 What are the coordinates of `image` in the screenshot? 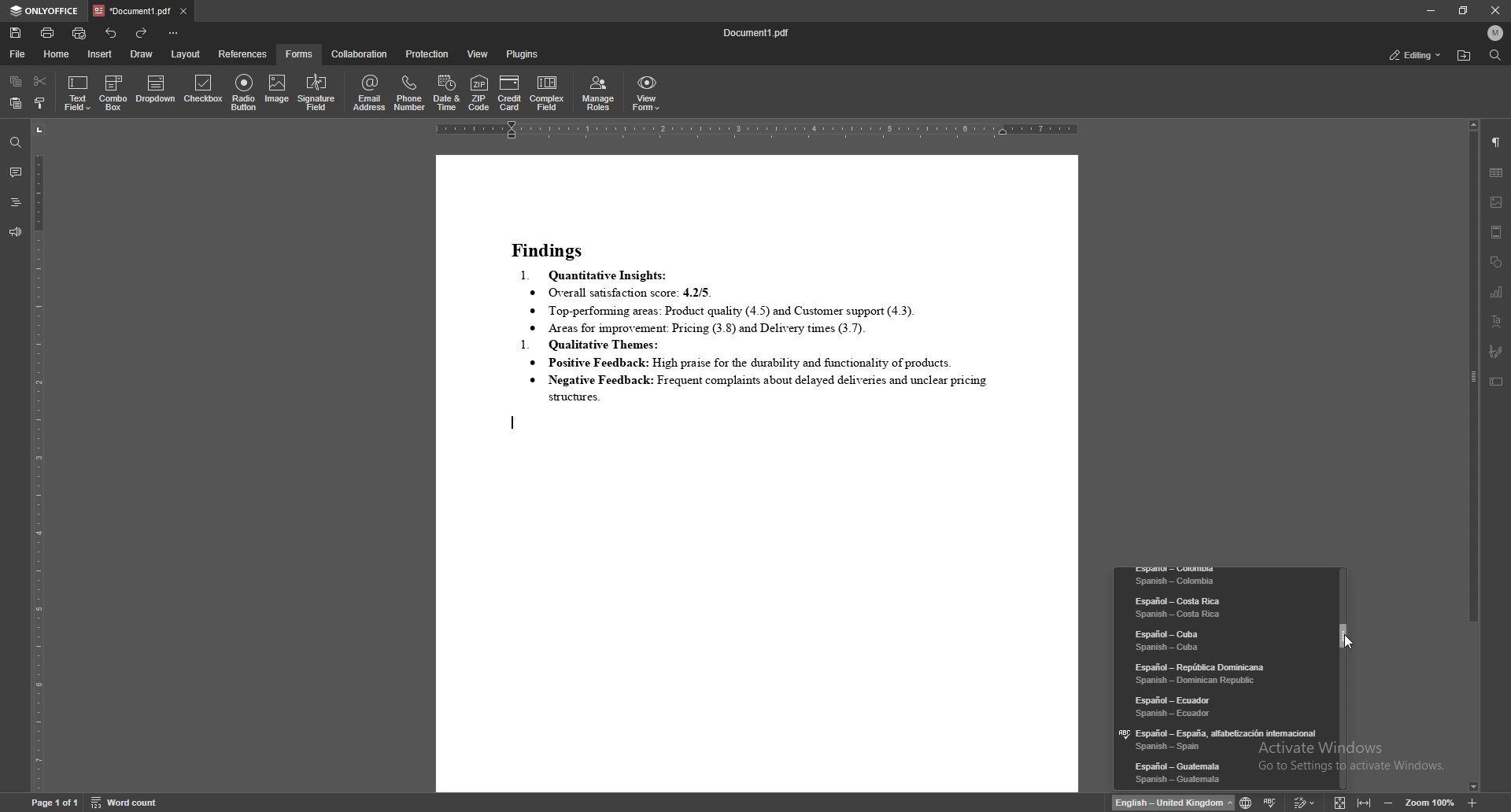 It's located at (1497, 202).